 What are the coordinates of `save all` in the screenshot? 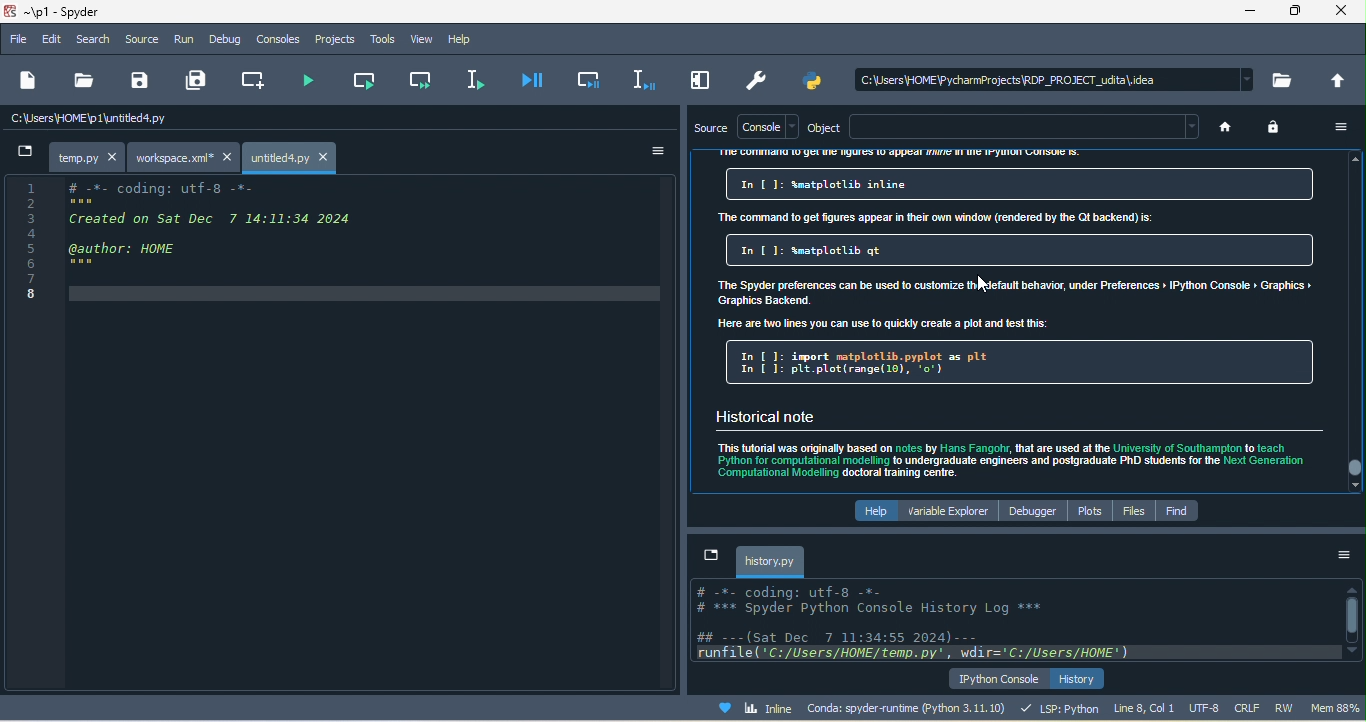 It's located at (192, 81).